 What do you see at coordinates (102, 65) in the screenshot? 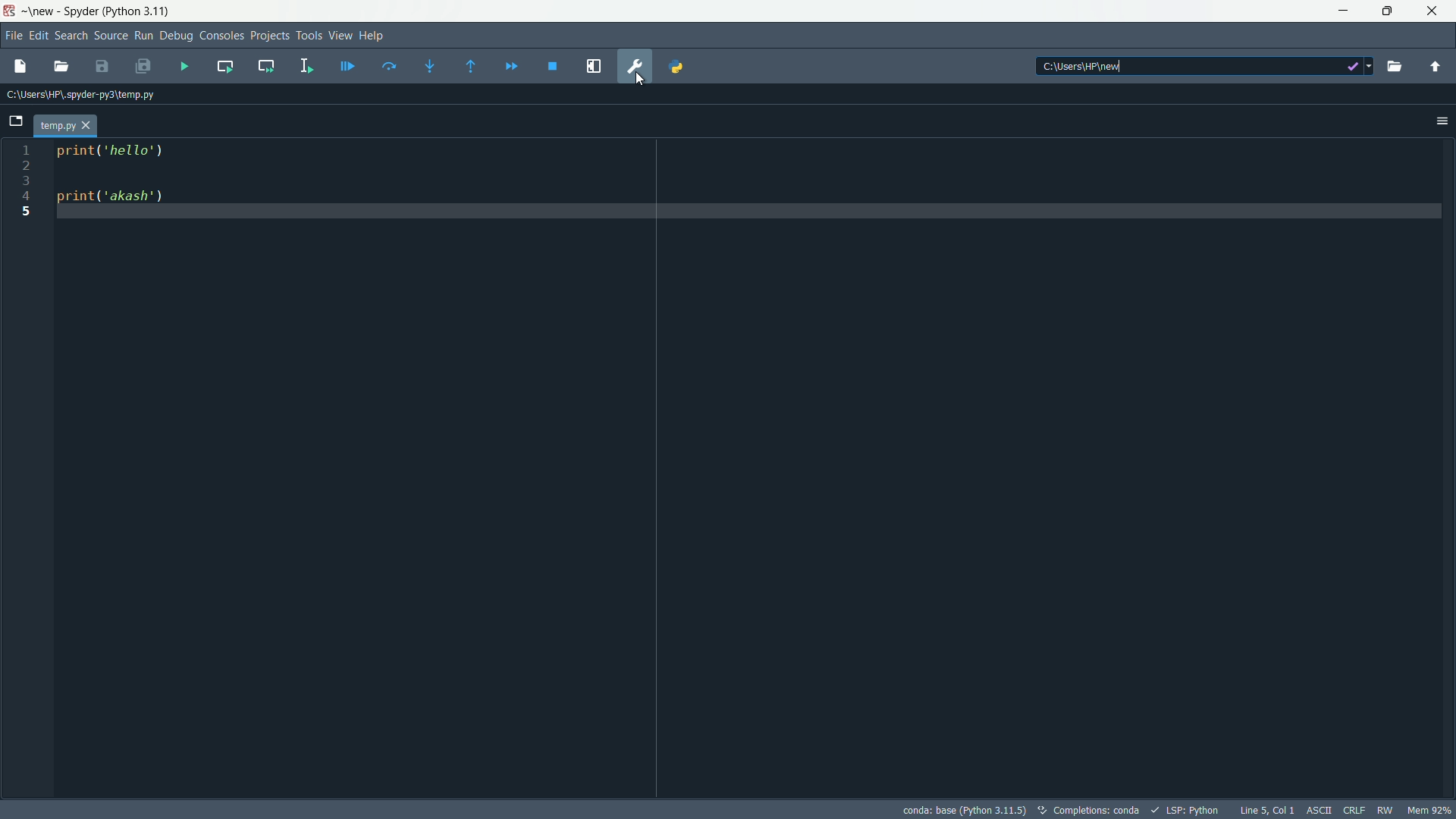
I see `save file` at bounding box center [102, 65].